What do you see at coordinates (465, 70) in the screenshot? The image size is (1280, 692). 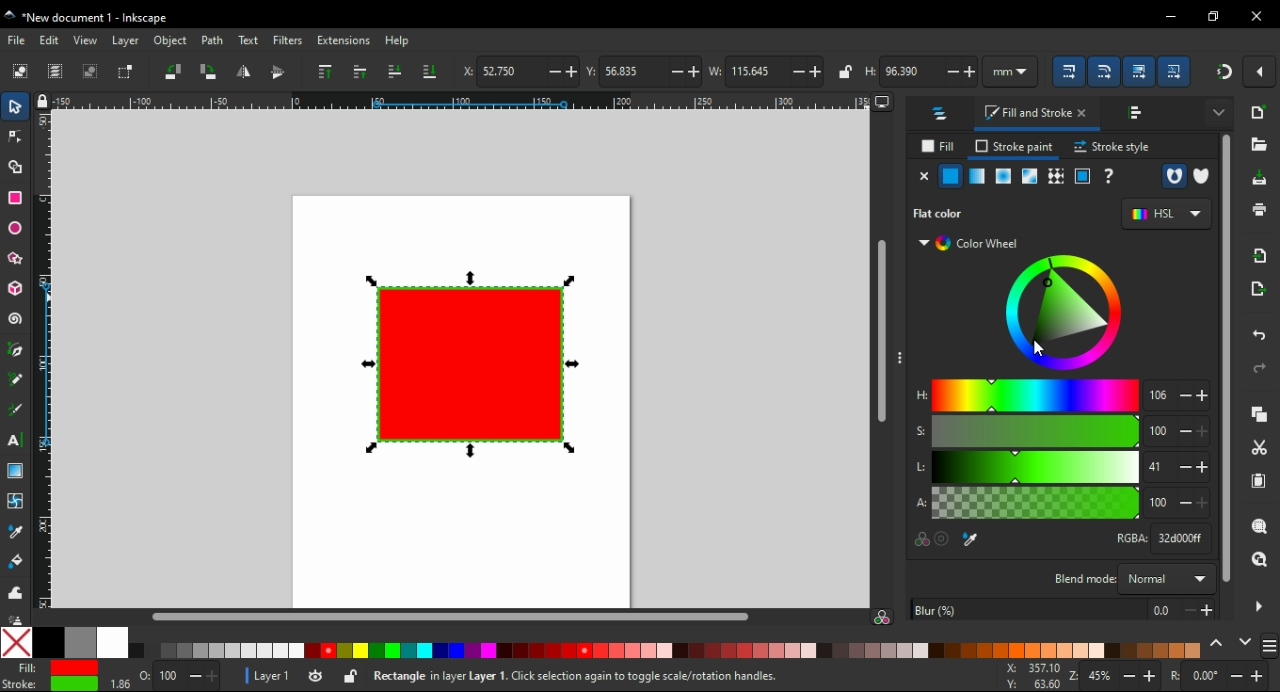 I see `x` at bounding box center [465, 70].